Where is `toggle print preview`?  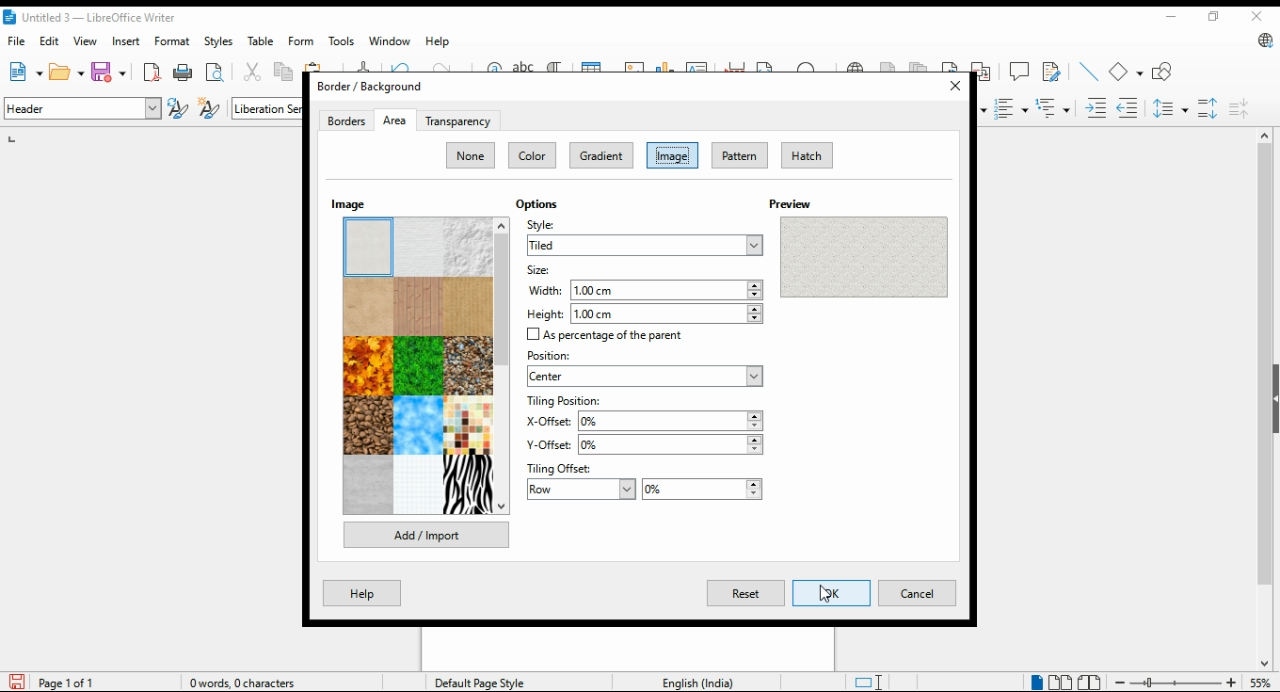 toggle print preview is located at coordinates (216, 70).